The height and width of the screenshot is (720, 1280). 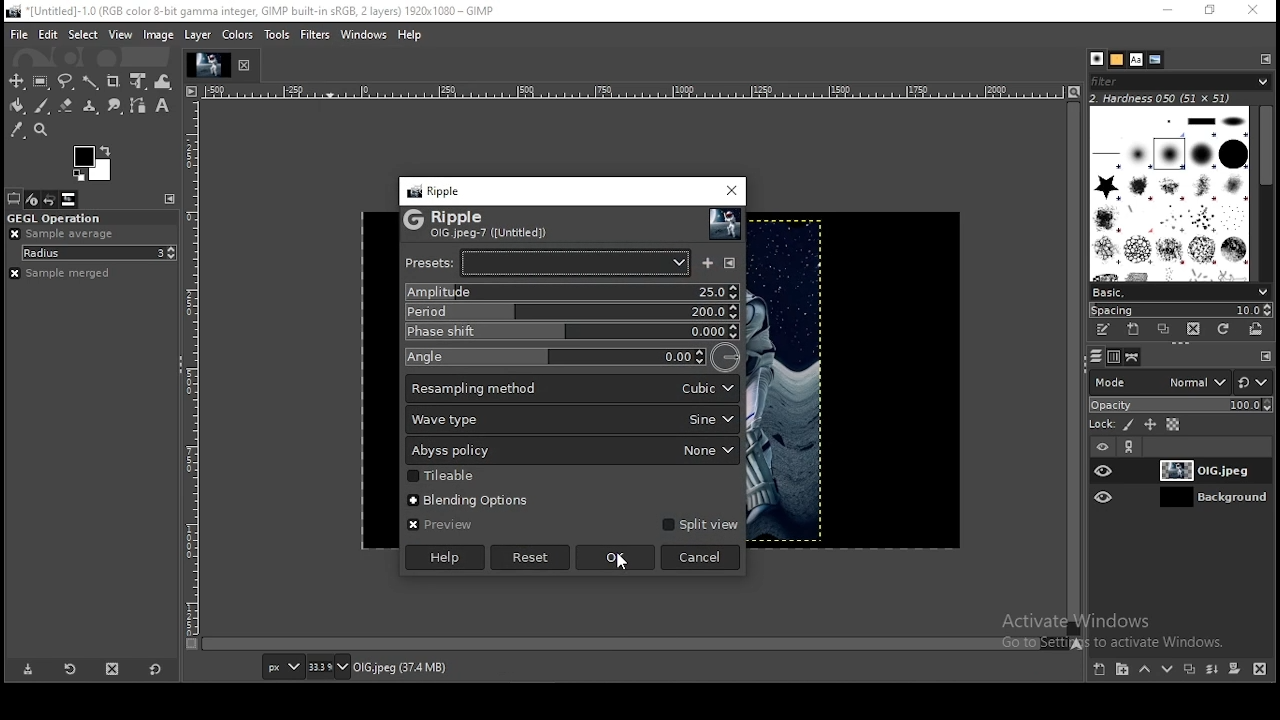 What do you see at coordinates (67, 82) in the screenshot?
I see `free select tool` at bounding box center [67, 82].